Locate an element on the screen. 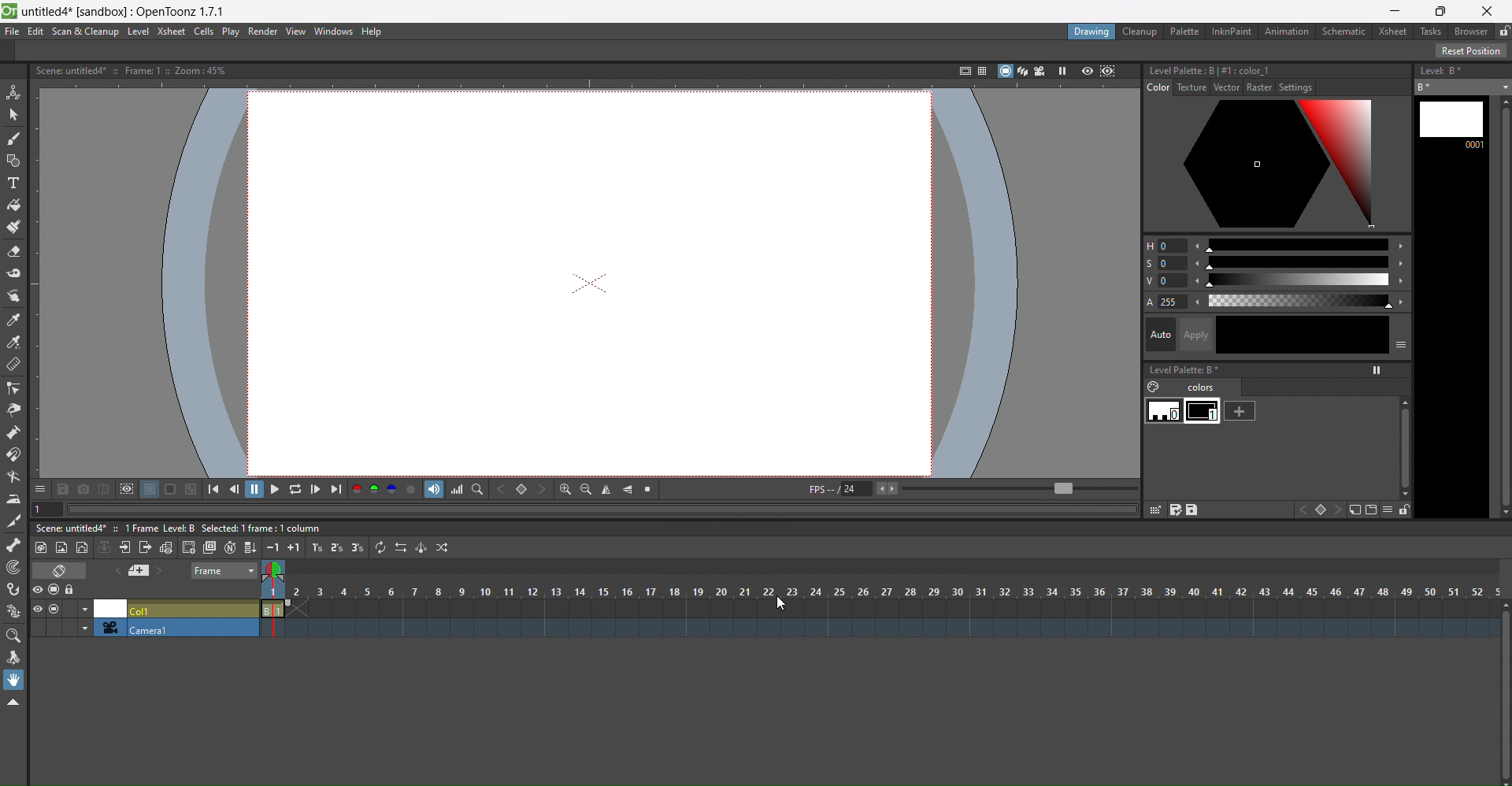 This screenshot has height=786, width=1512. increase step is located at coordinates (315, 547).